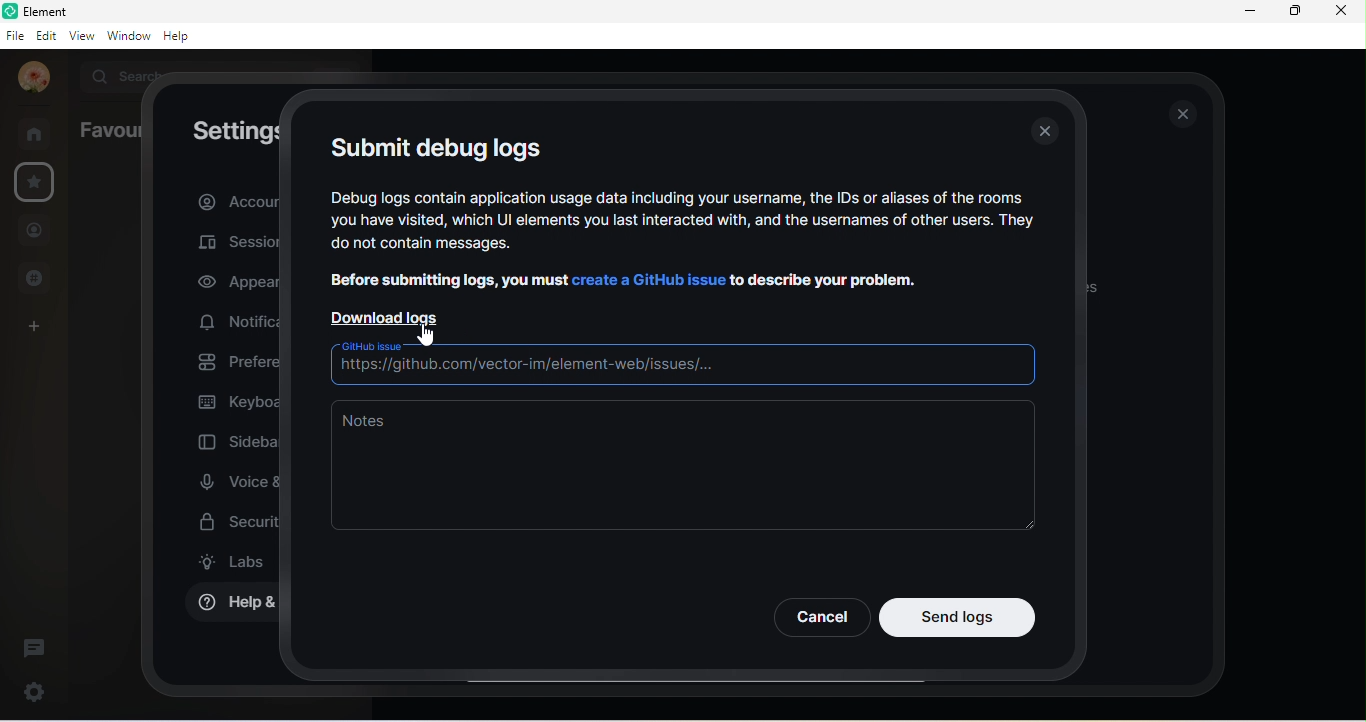  Describe the element at coordinates (1246, 12) in the screenshot. I see `minimize` at that location.